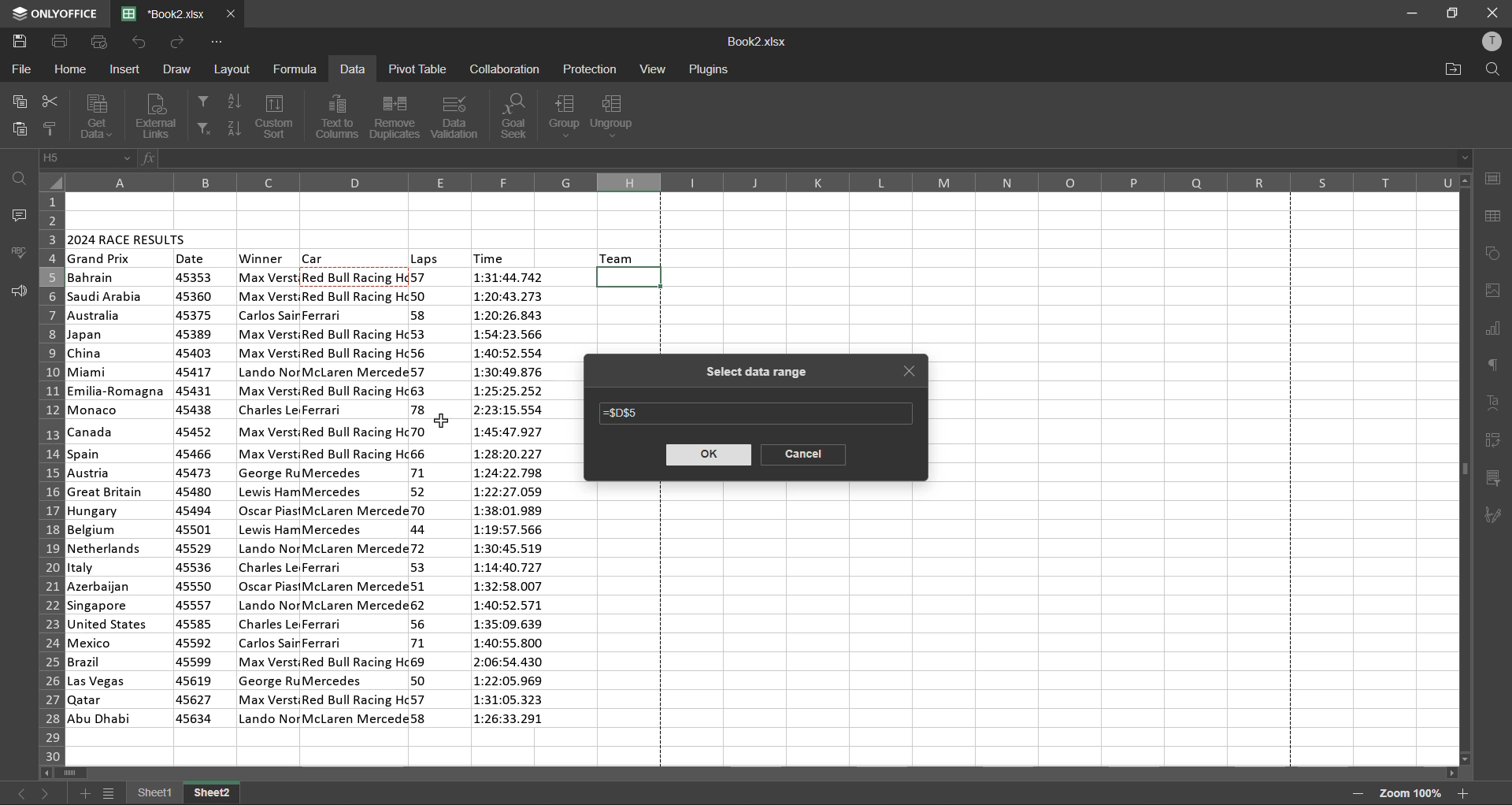  What do you see at coordinates (802, 454) in the screenshot?
I see `cancel` at bounding box center [802, 454].